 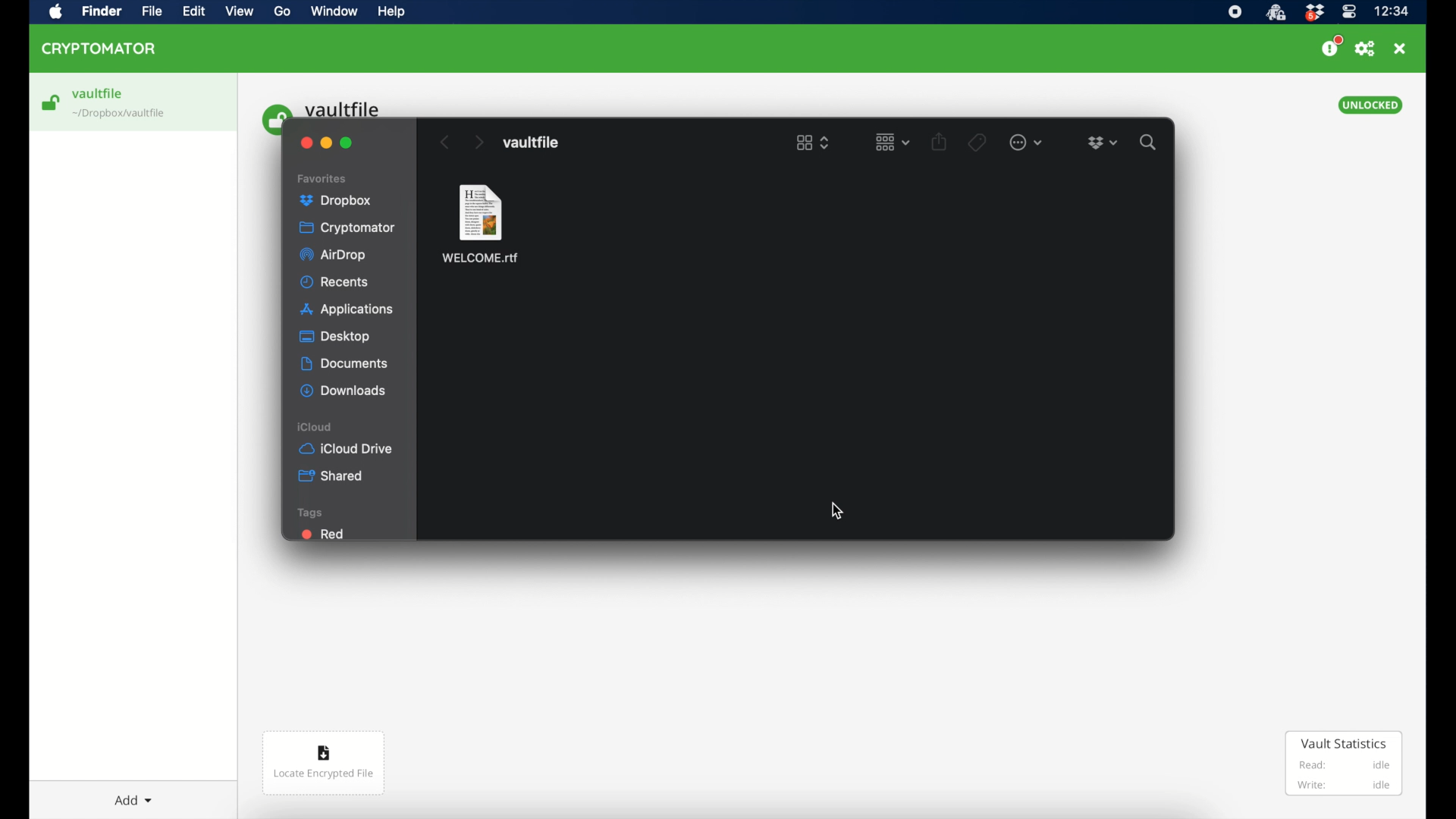 What do you see at coordinates (347, 310) in the screenshot?
I see `applications` at bounding box center [347, 310].